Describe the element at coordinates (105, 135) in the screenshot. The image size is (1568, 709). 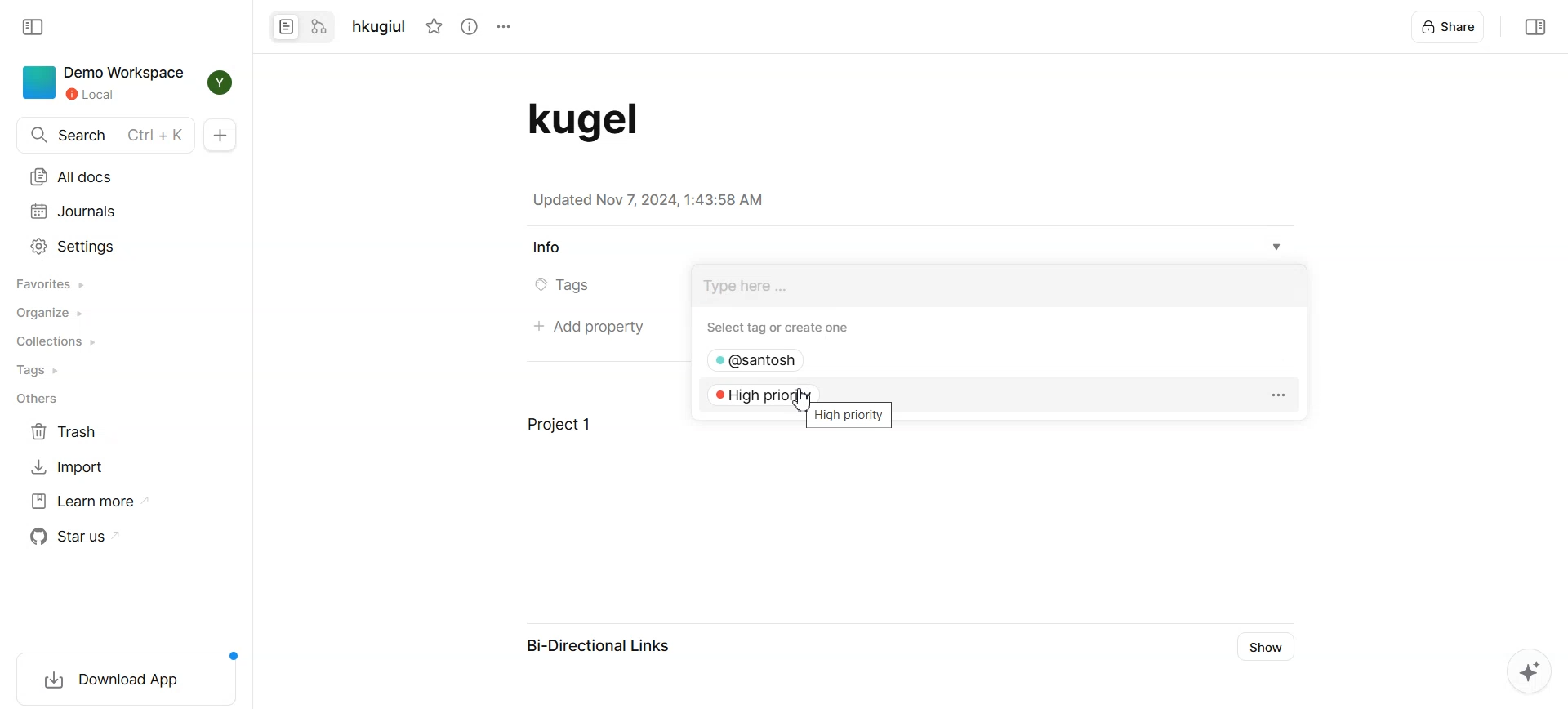
I see `Search Ctrl + K` at that location.